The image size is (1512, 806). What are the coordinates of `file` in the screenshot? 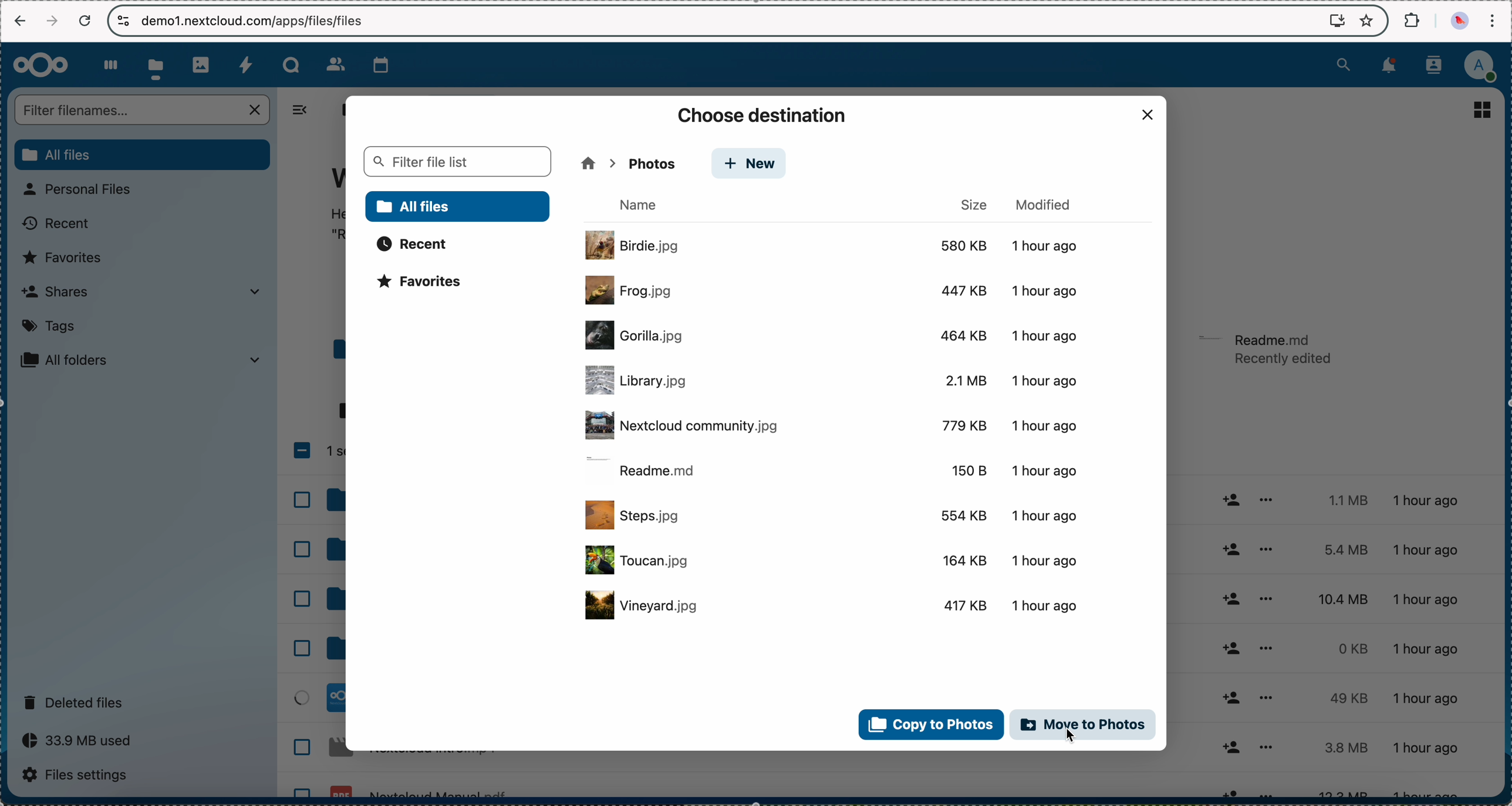 It's located at (833, 469).